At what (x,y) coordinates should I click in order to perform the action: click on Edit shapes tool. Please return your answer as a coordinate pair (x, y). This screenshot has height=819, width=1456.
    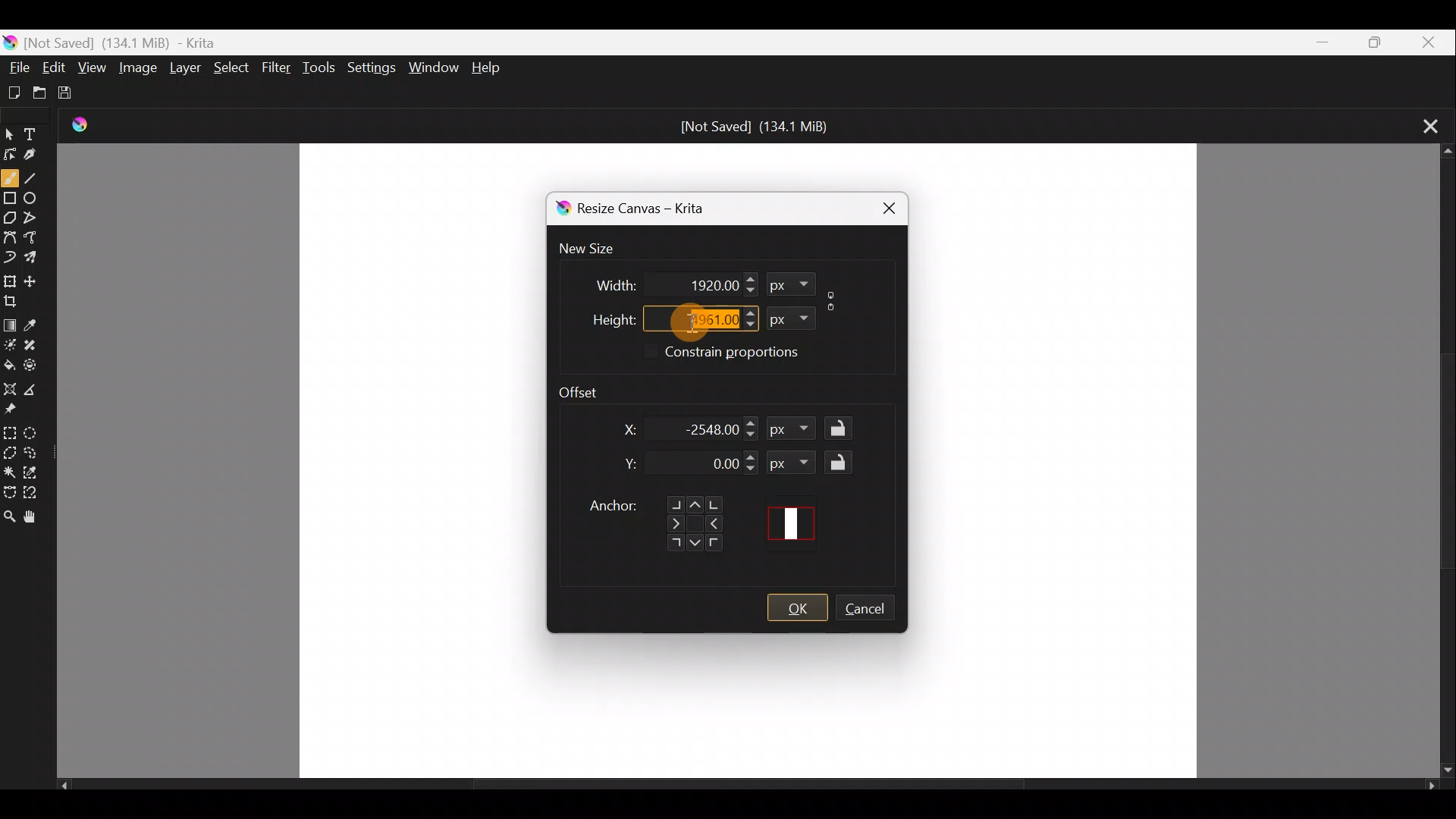
    Looking at the image, I should click on (11, 153).